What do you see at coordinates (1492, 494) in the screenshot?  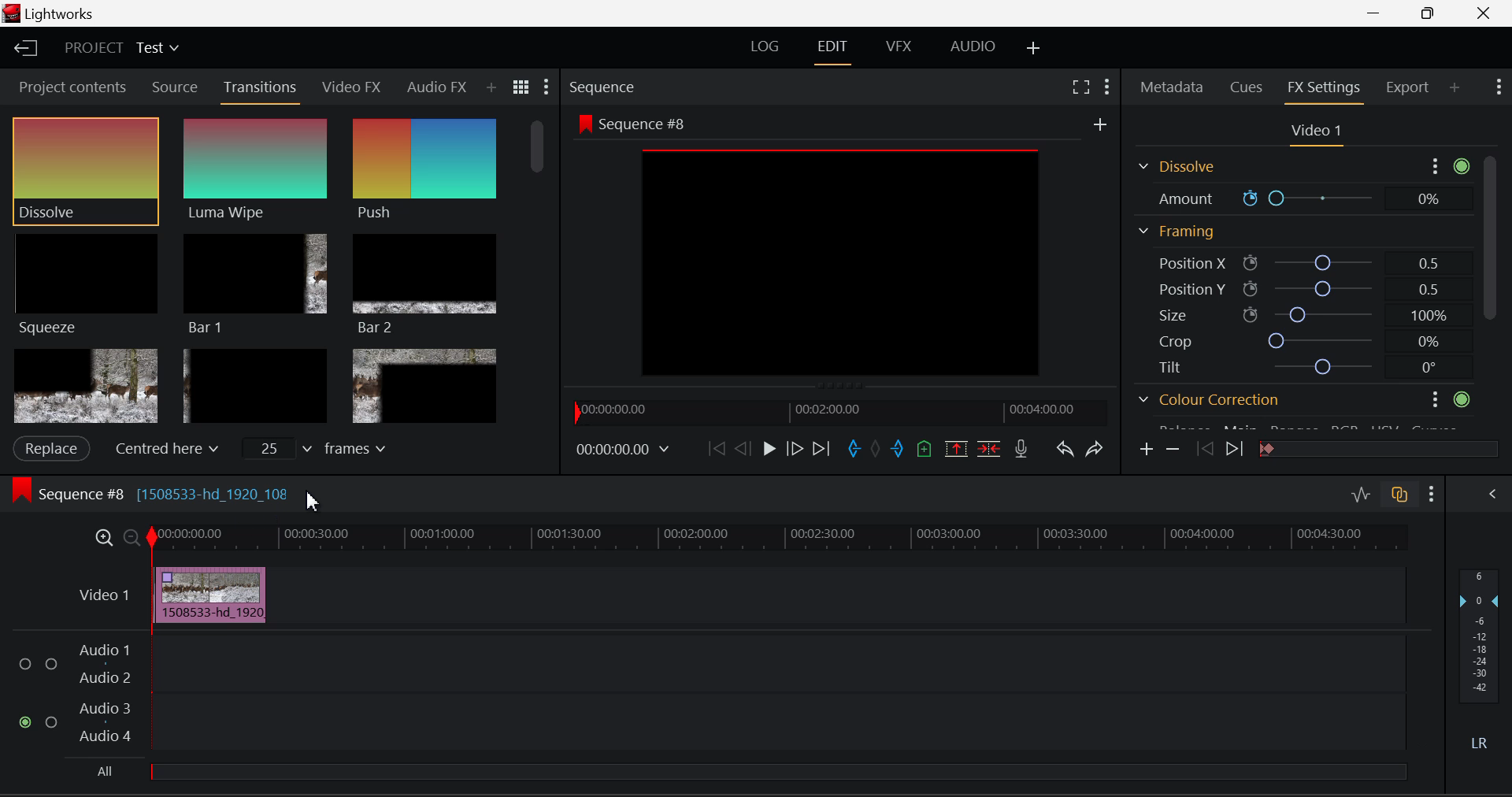 I see `Show Audio Mix` at bounding box center [1492, 494].